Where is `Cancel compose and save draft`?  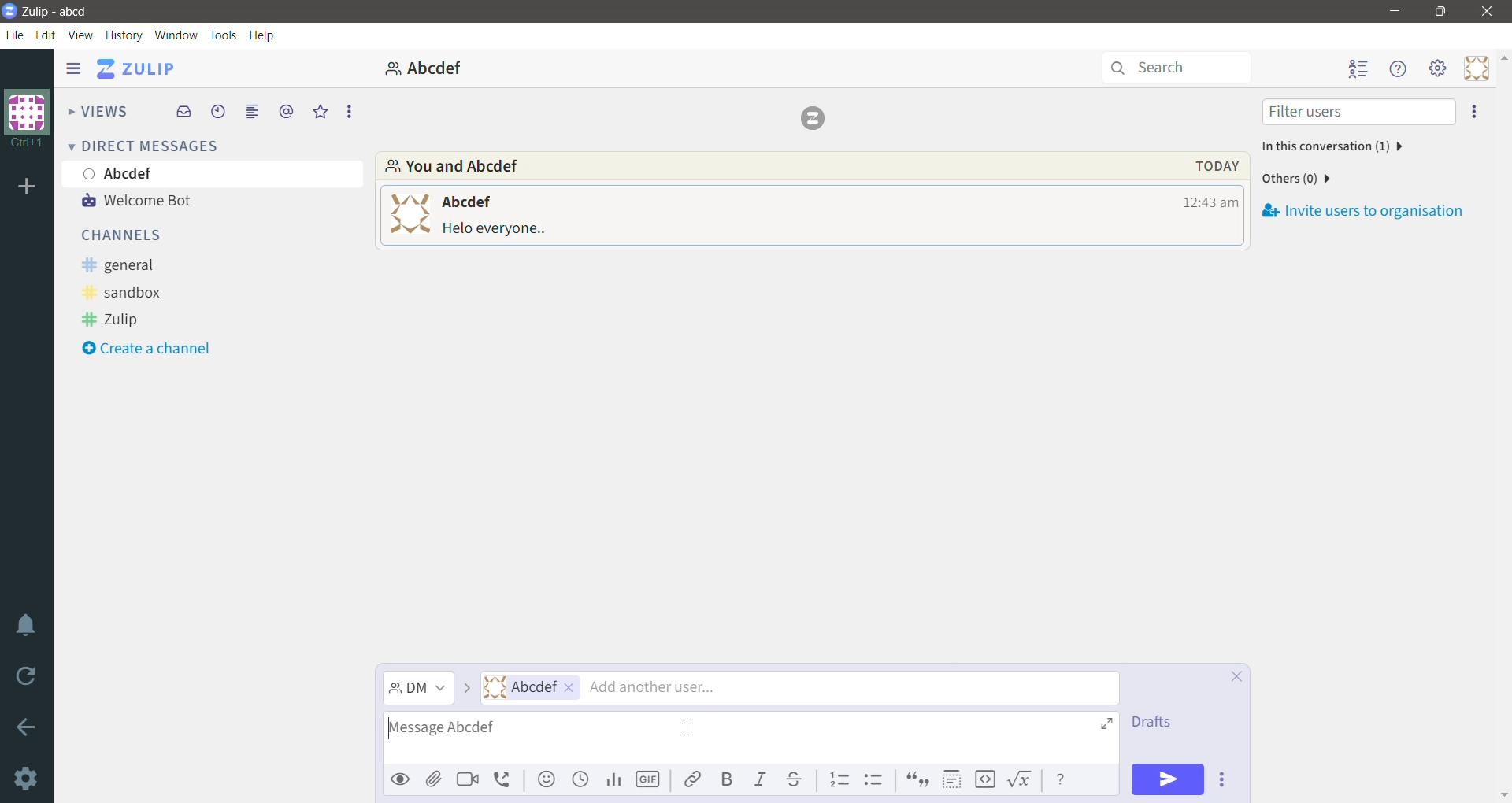
Cancel compose and save draft is located at coordinates (1232, 675).